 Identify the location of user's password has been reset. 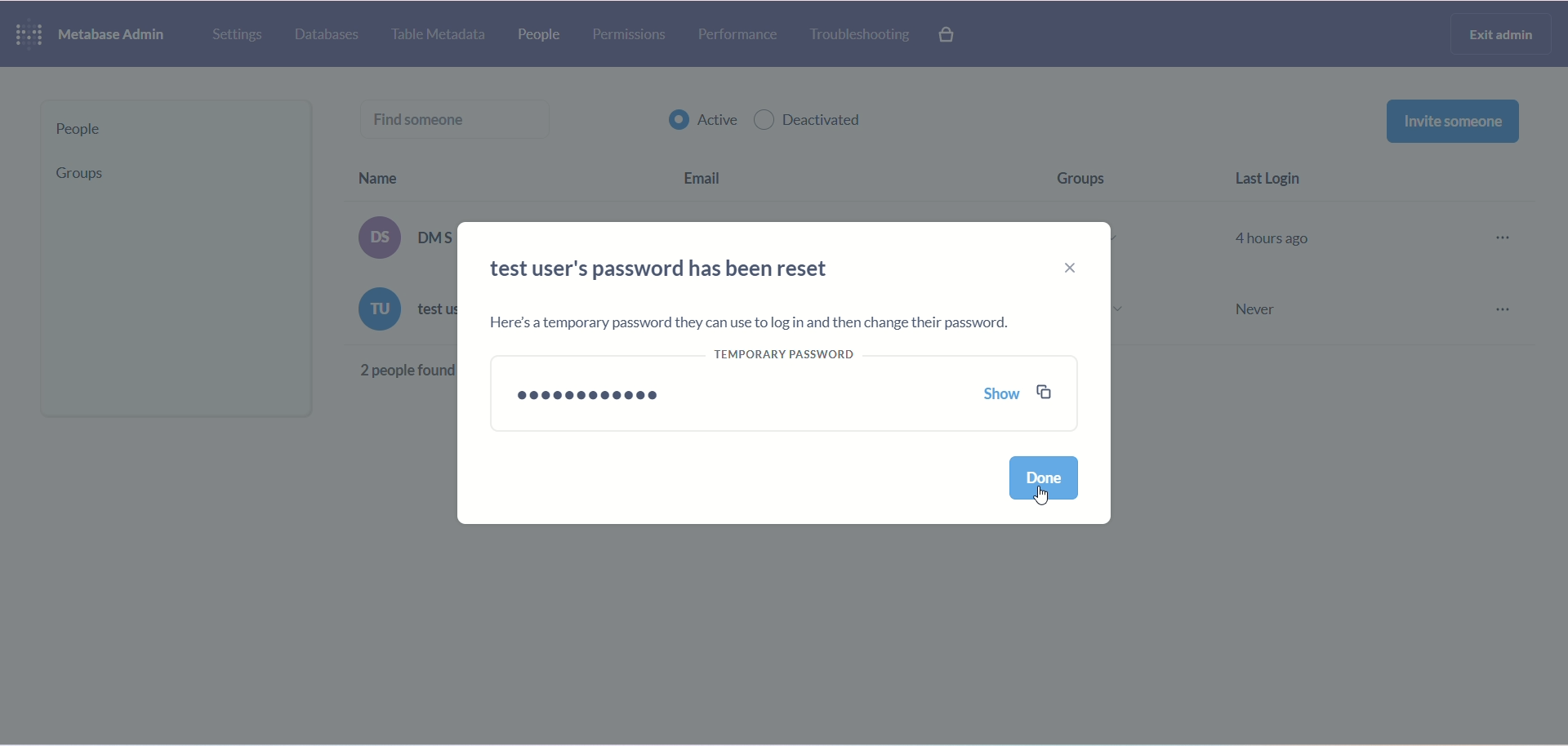
(670, 274).